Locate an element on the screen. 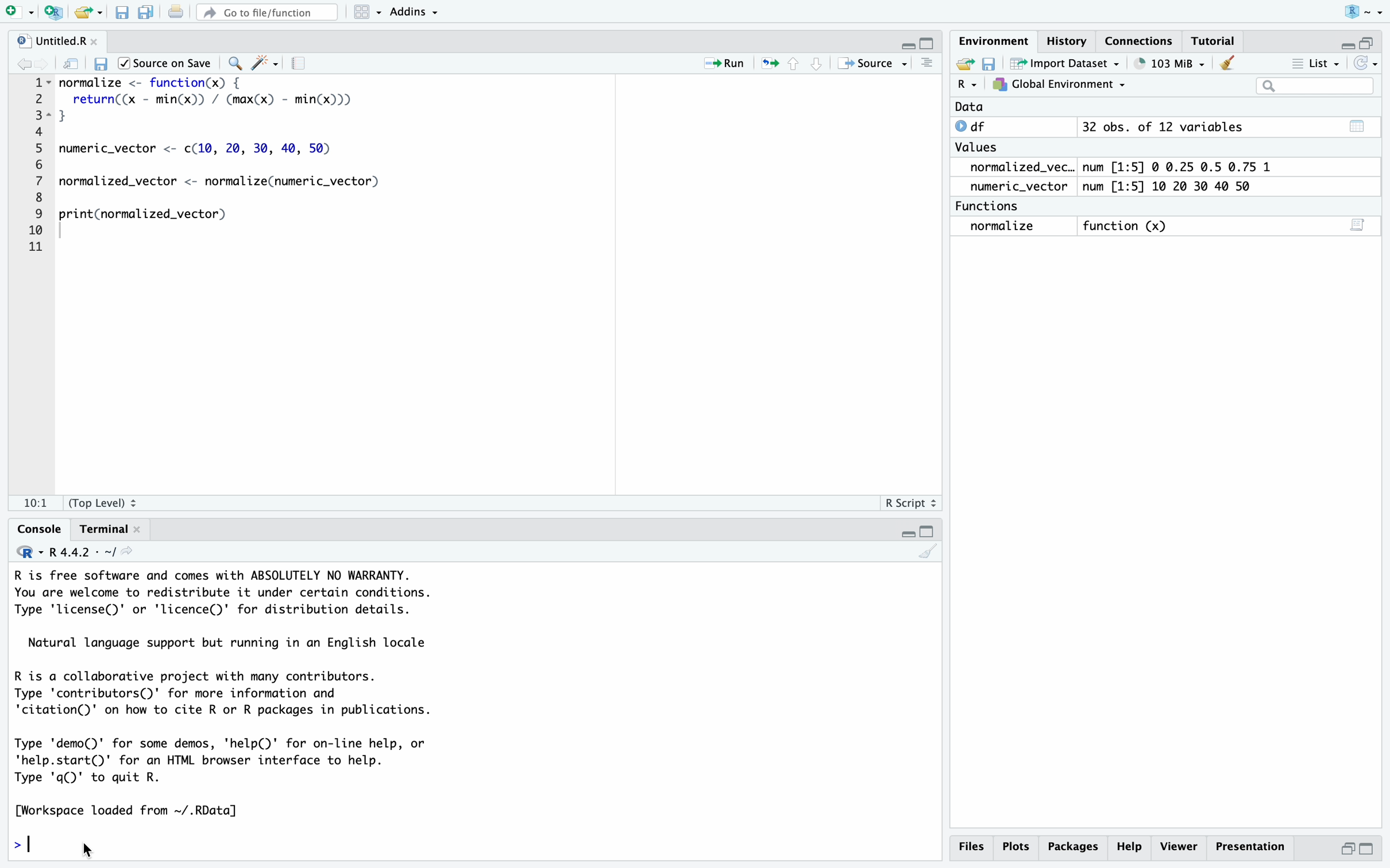  Viewer is located at coordinates (1180, 845).